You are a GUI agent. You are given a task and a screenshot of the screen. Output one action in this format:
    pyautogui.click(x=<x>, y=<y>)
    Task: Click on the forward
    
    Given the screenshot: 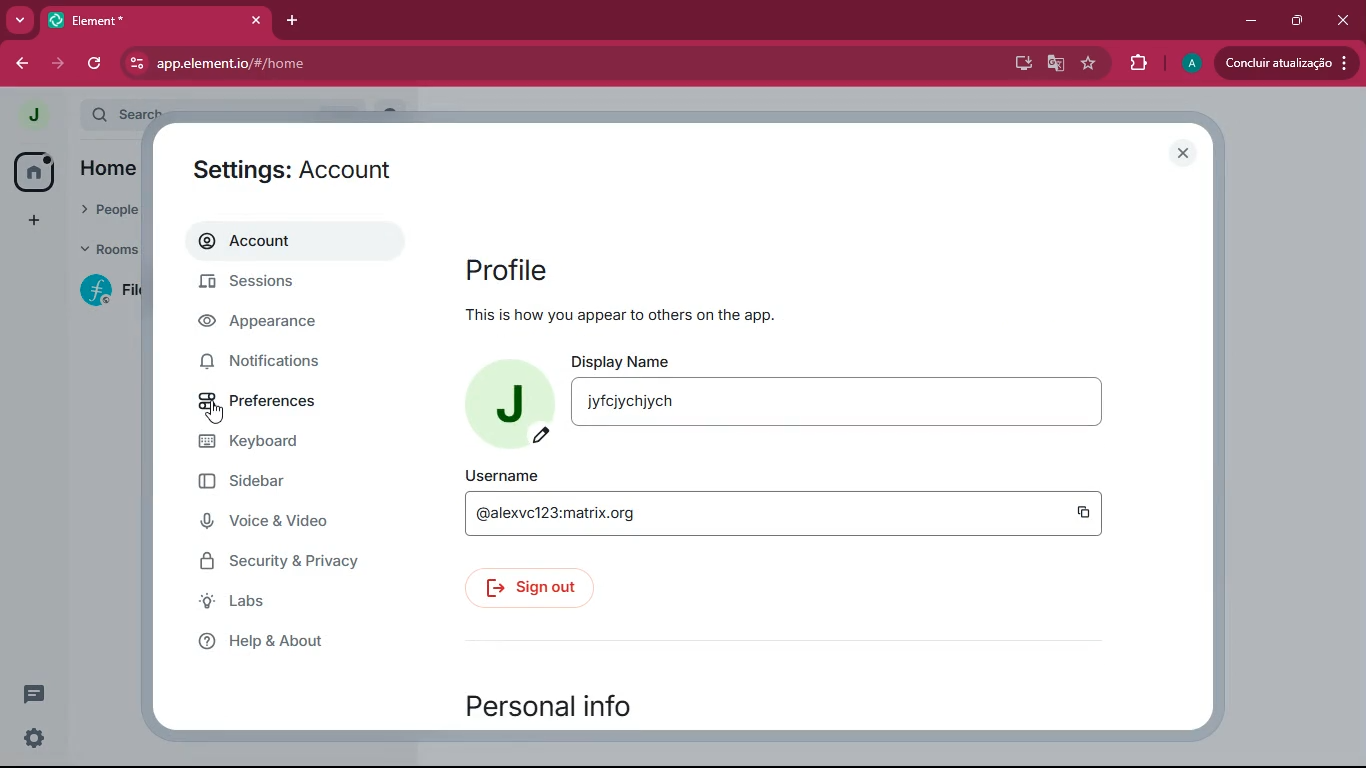 What is the action you would take?
    pyautogui.click(x=58, y=67)
    